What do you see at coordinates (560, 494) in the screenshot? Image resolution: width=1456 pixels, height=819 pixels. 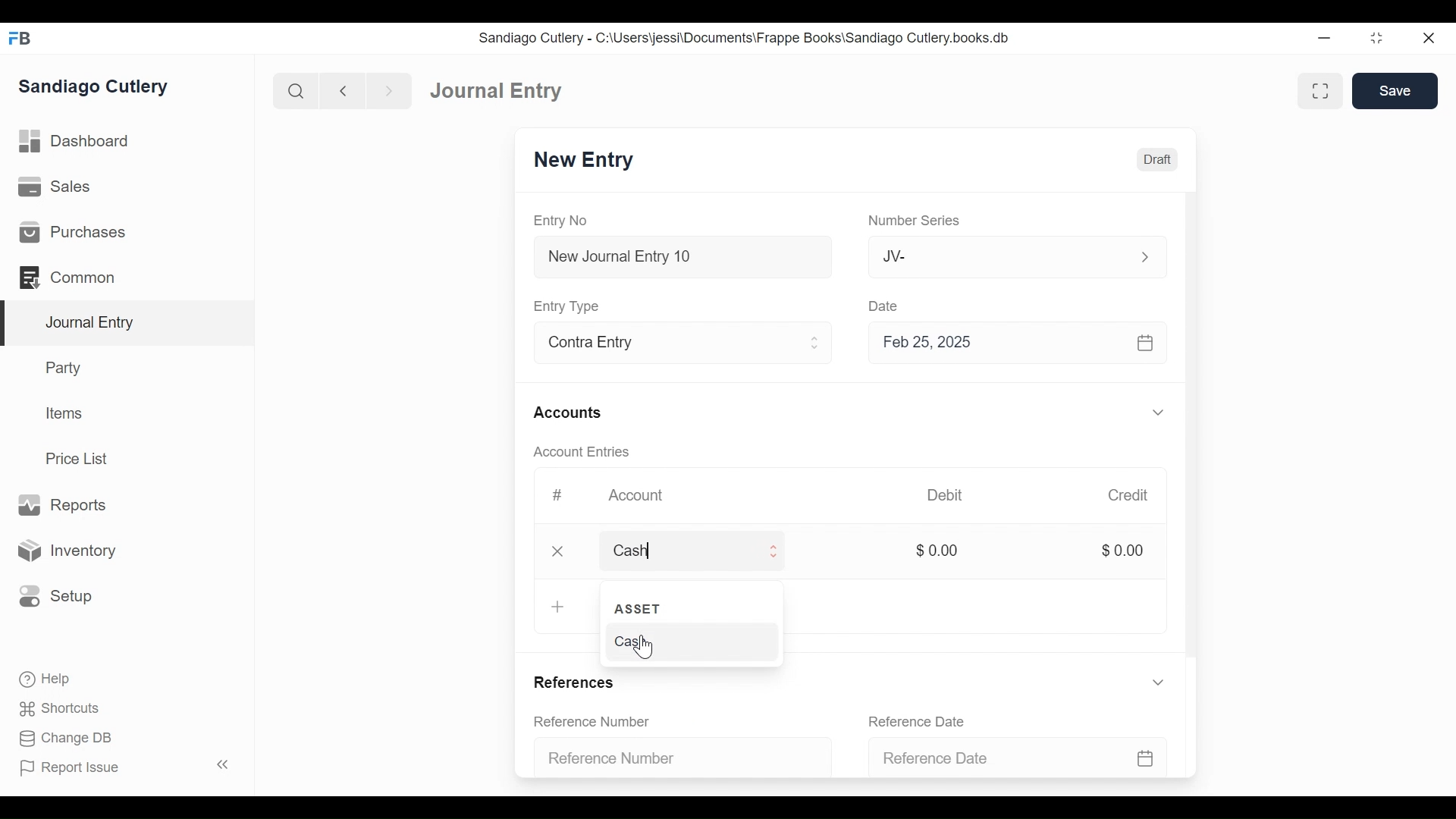 I see `#` at bounding box center [560, 494].